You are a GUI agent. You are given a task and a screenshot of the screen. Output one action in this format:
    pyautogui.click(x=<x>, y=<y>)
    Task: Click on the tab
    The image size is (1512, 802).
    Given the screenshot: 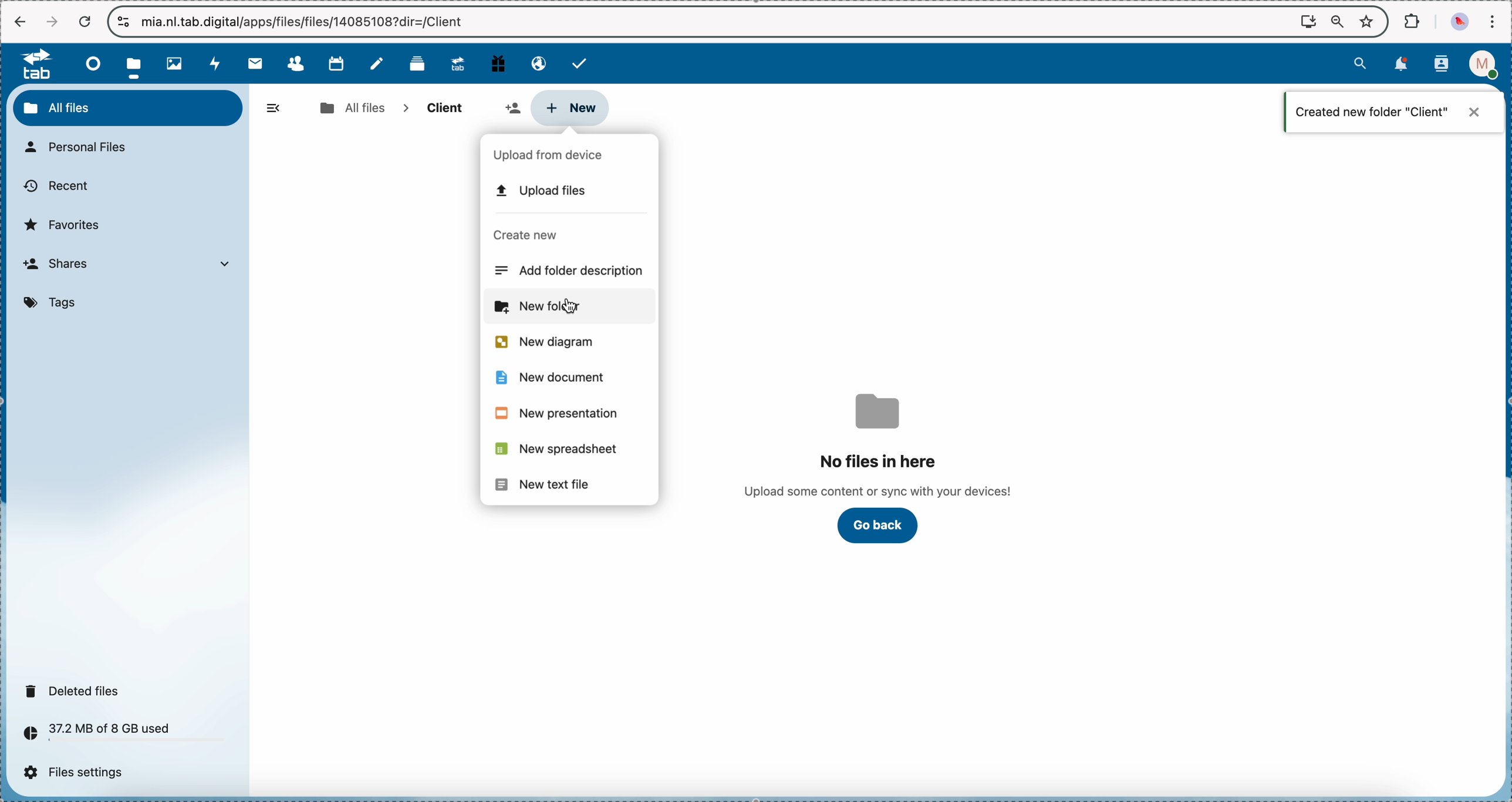 What is the action you would take?
    pyautogui.click(x=31, y=63)
    